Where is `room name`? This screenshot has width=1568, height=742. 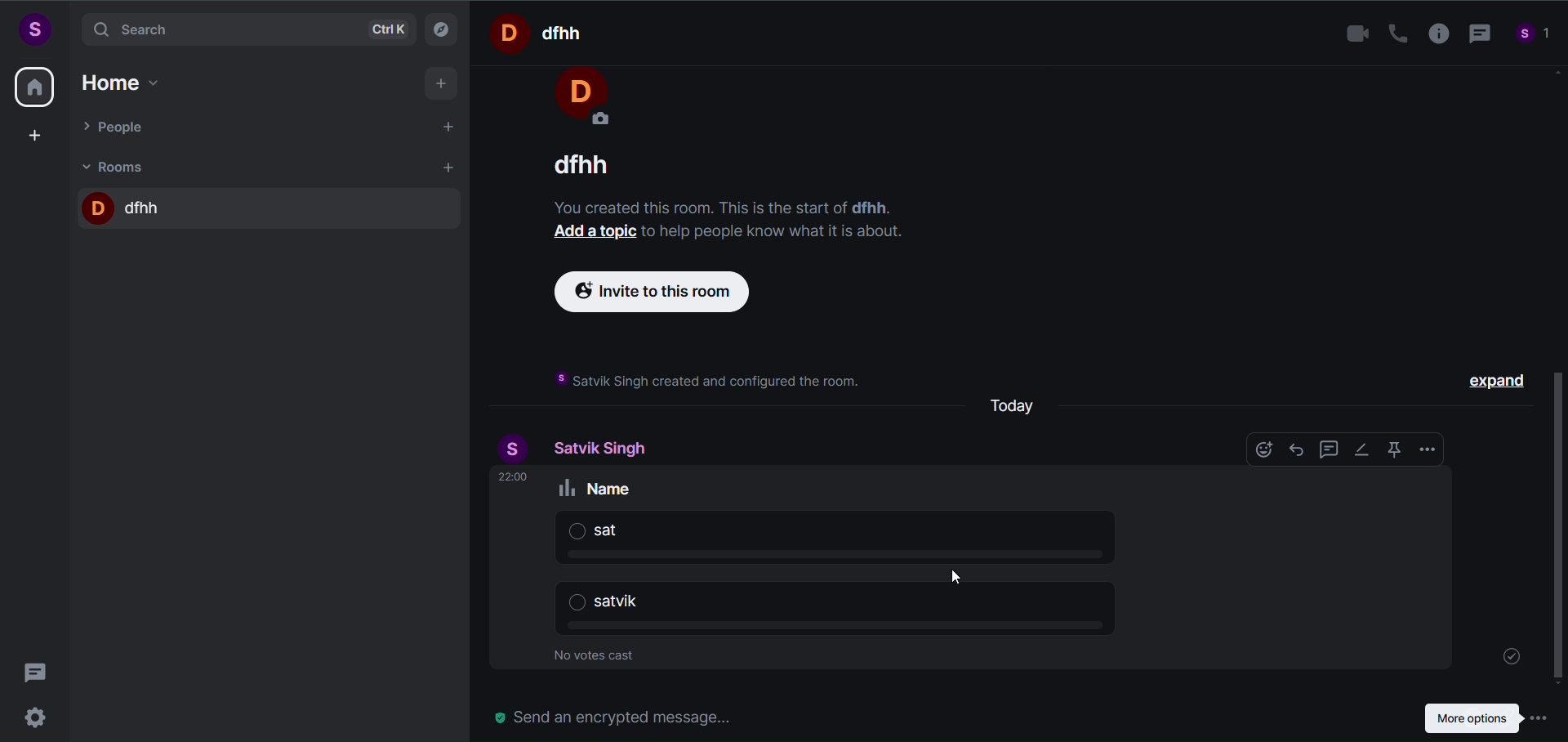 room name is located at coordinates (125, 204).